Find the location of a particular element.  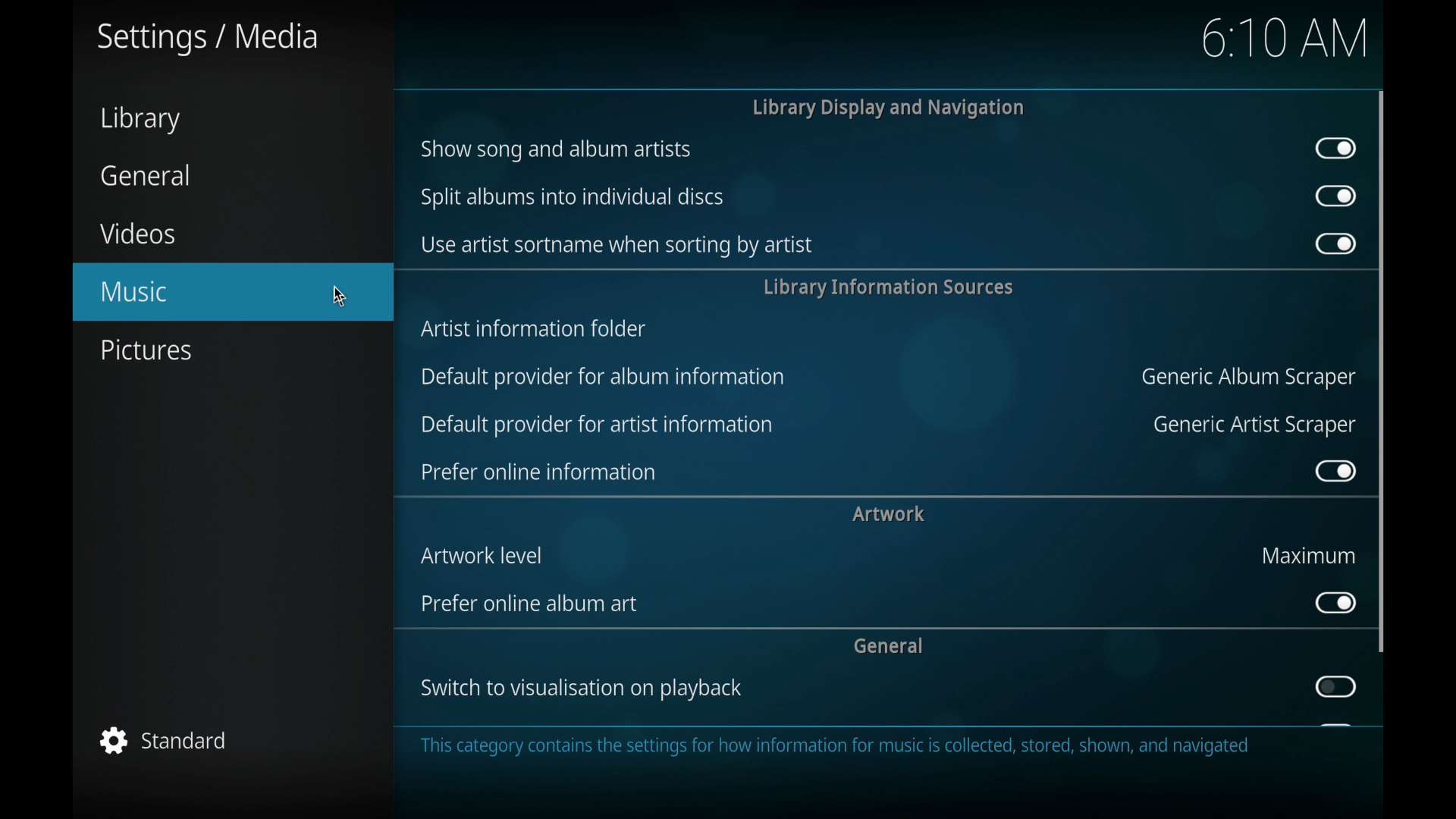

toggle button is located at coordinates (1335, 470).